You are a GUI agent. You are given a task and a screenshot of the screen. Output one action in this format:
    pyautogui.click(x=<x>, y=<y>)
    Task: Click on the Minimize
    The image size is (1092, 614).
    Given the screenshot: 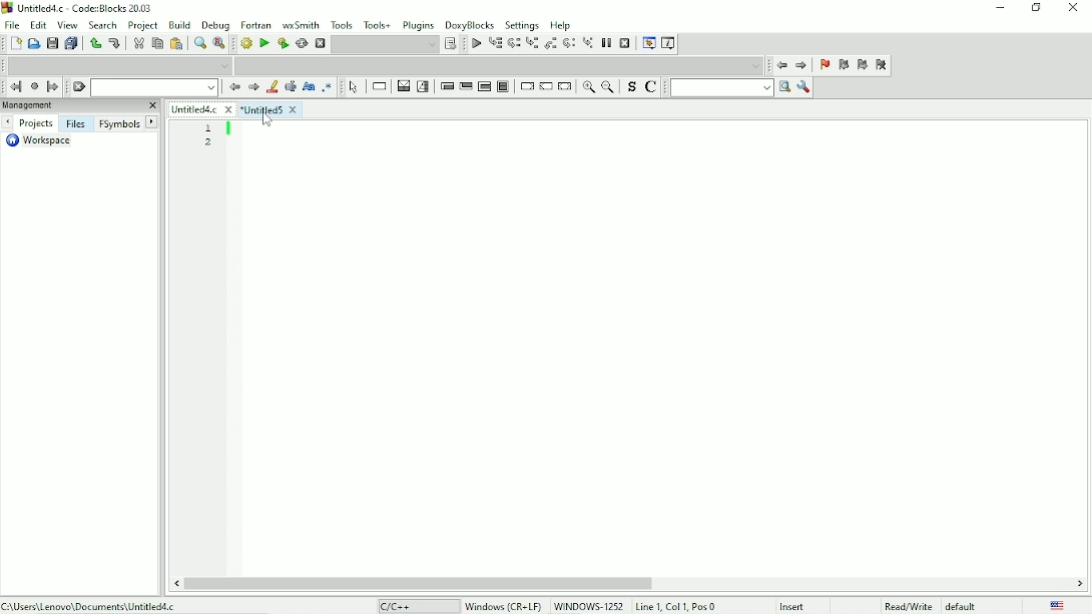 What is the action you would take?
    pyautogui.click(x=1001, y=8)
    